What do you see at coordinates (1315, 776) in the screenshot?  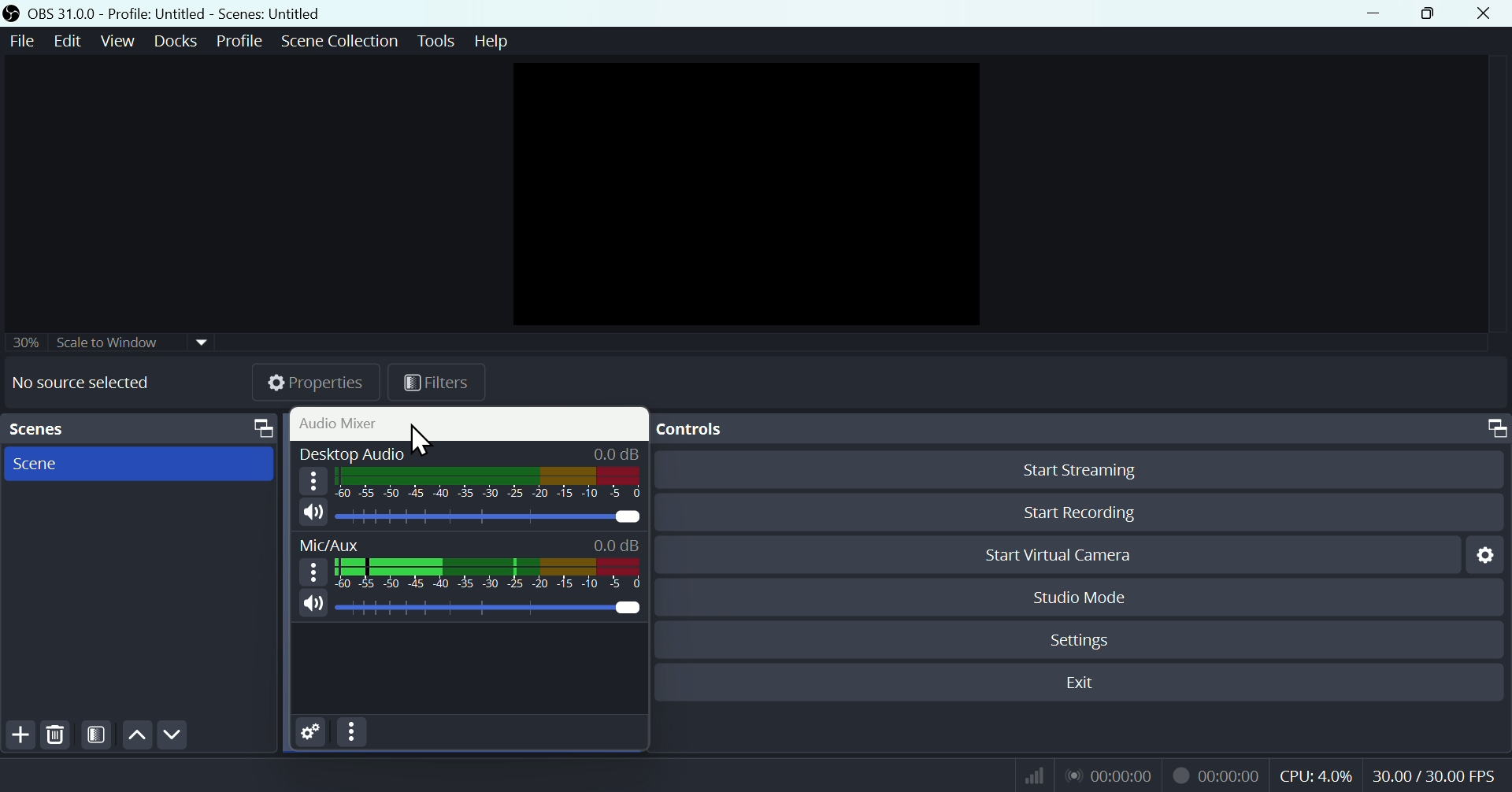 I see `CPU Usage` at bounding box center [1315, 776].